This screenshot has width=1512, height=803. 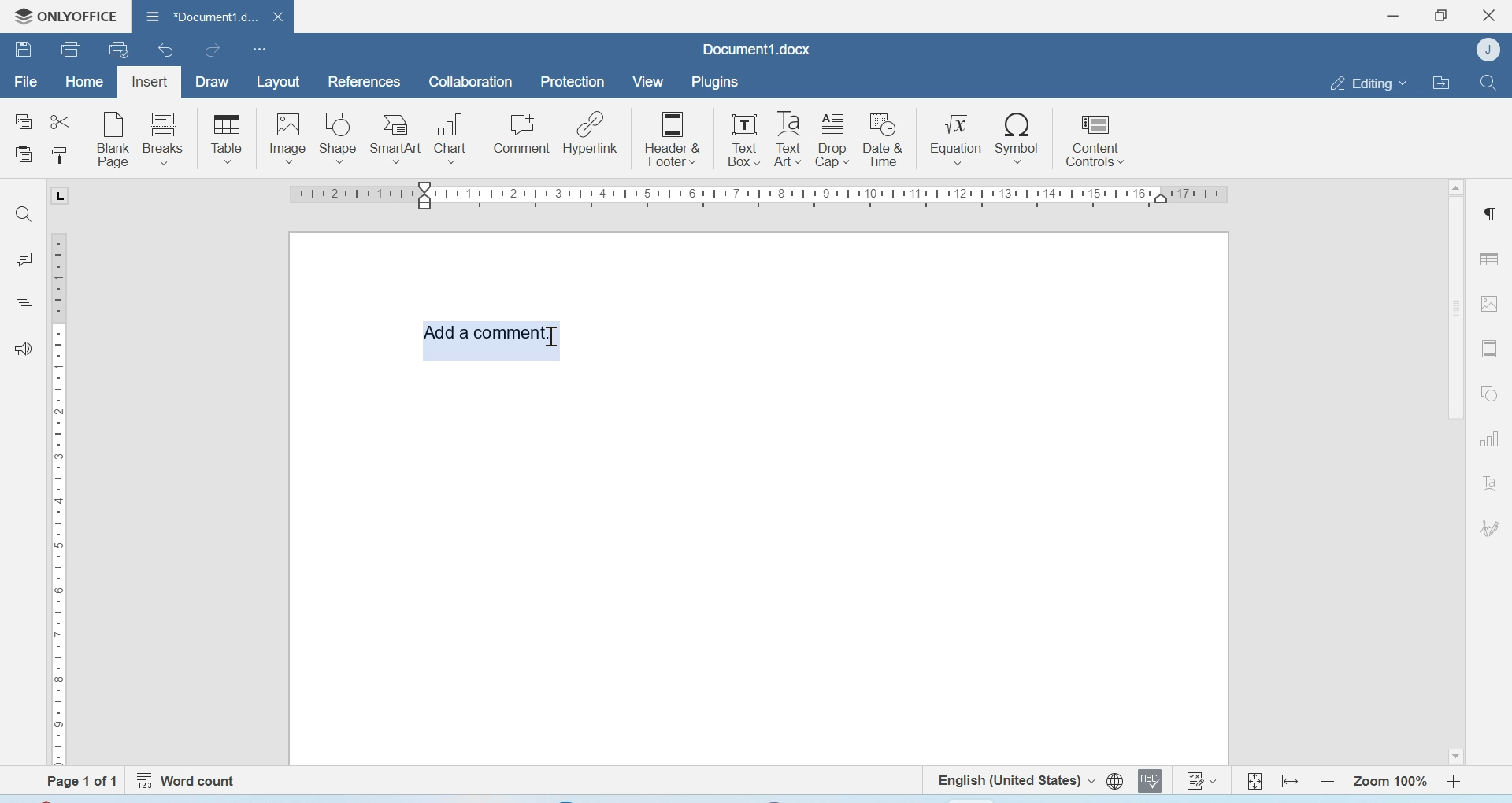 What do you see at coordinates (1455, 781) in the screenshot?
I see `Zoom in` at bounding box center [1455, 781].